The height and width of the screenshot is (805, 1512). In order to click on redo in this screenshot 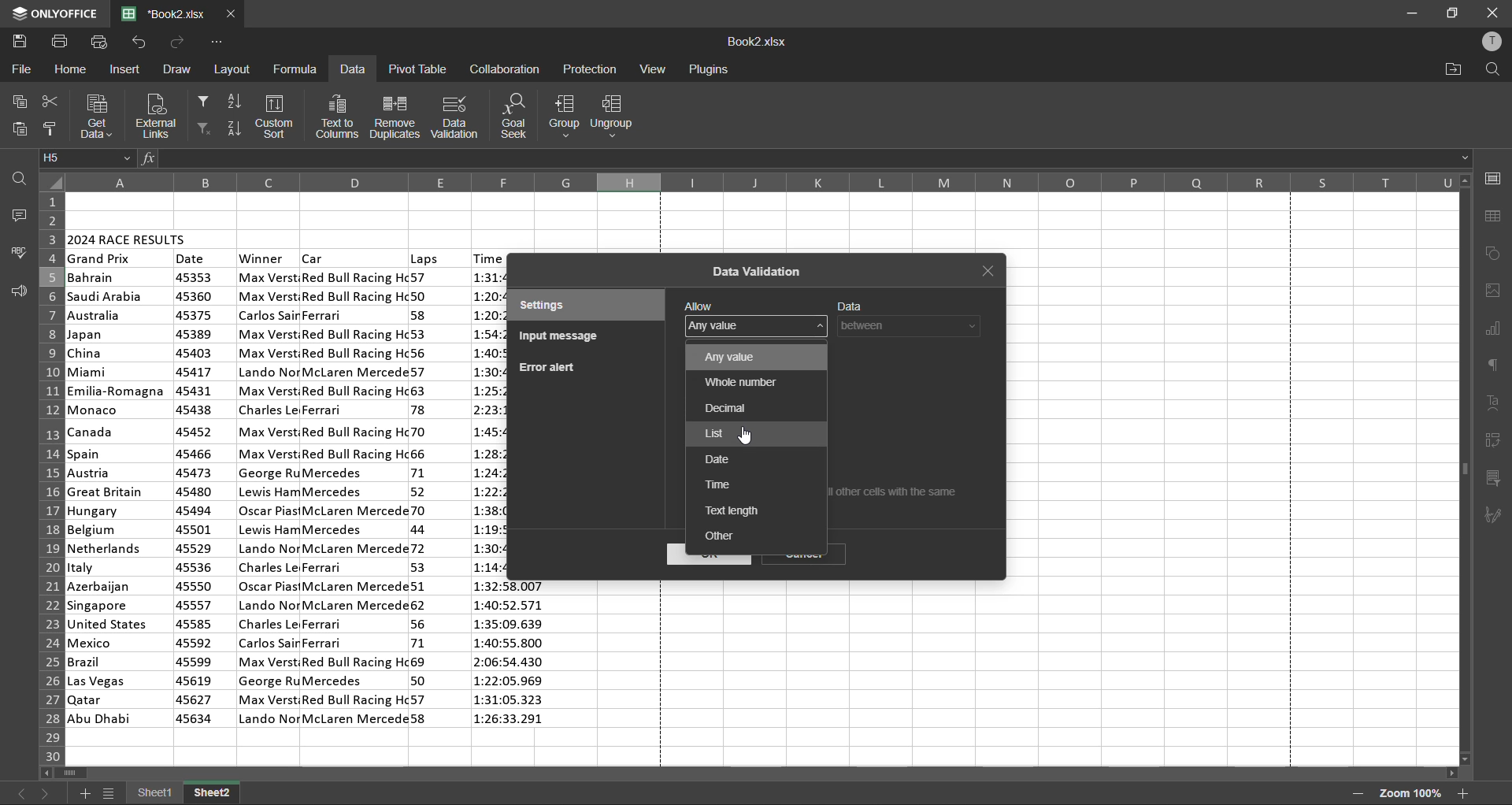, I will do `click(179, 42)`.